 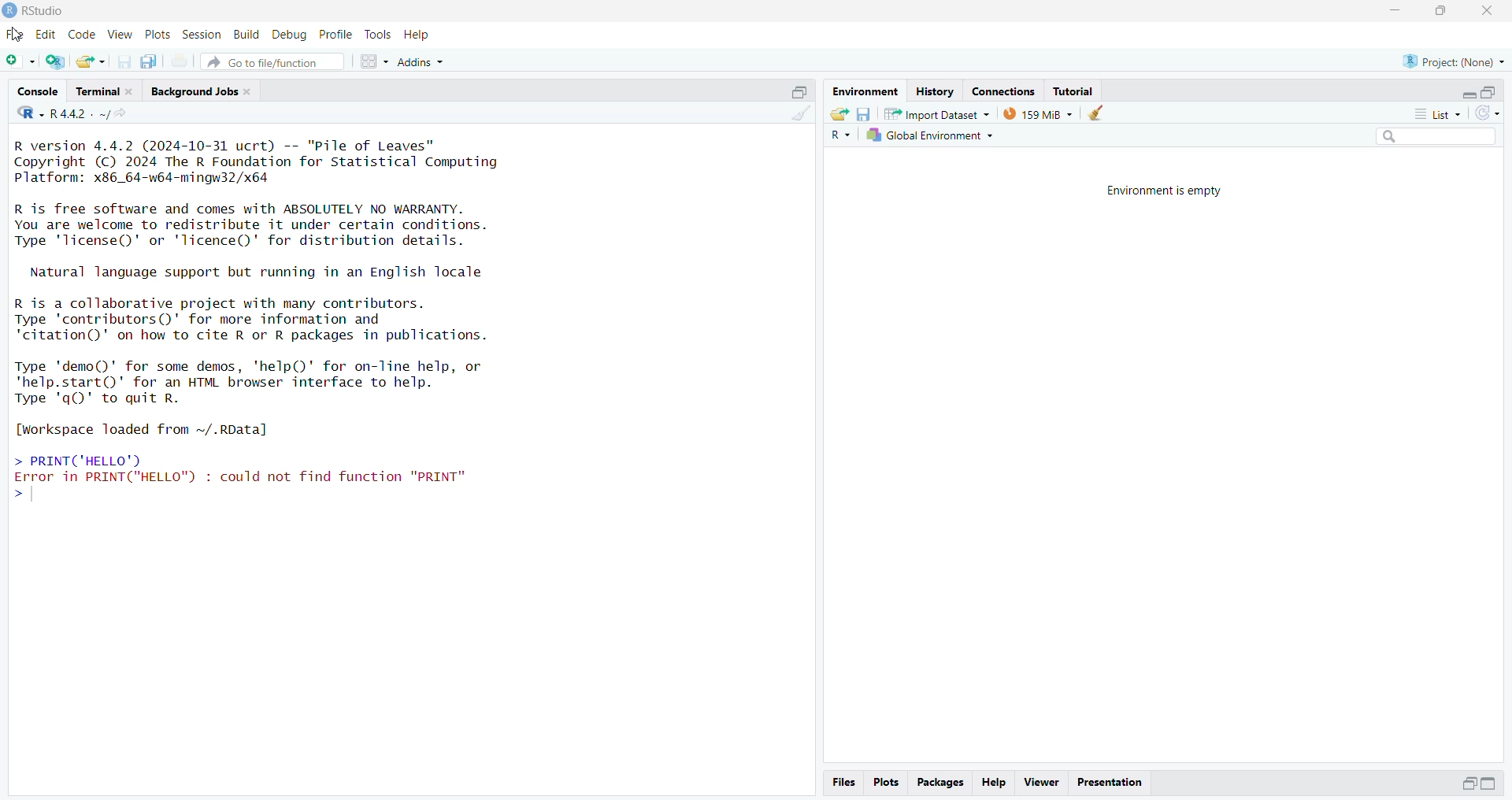 I want to click on view the current working directory, so click(x=125, y=113).